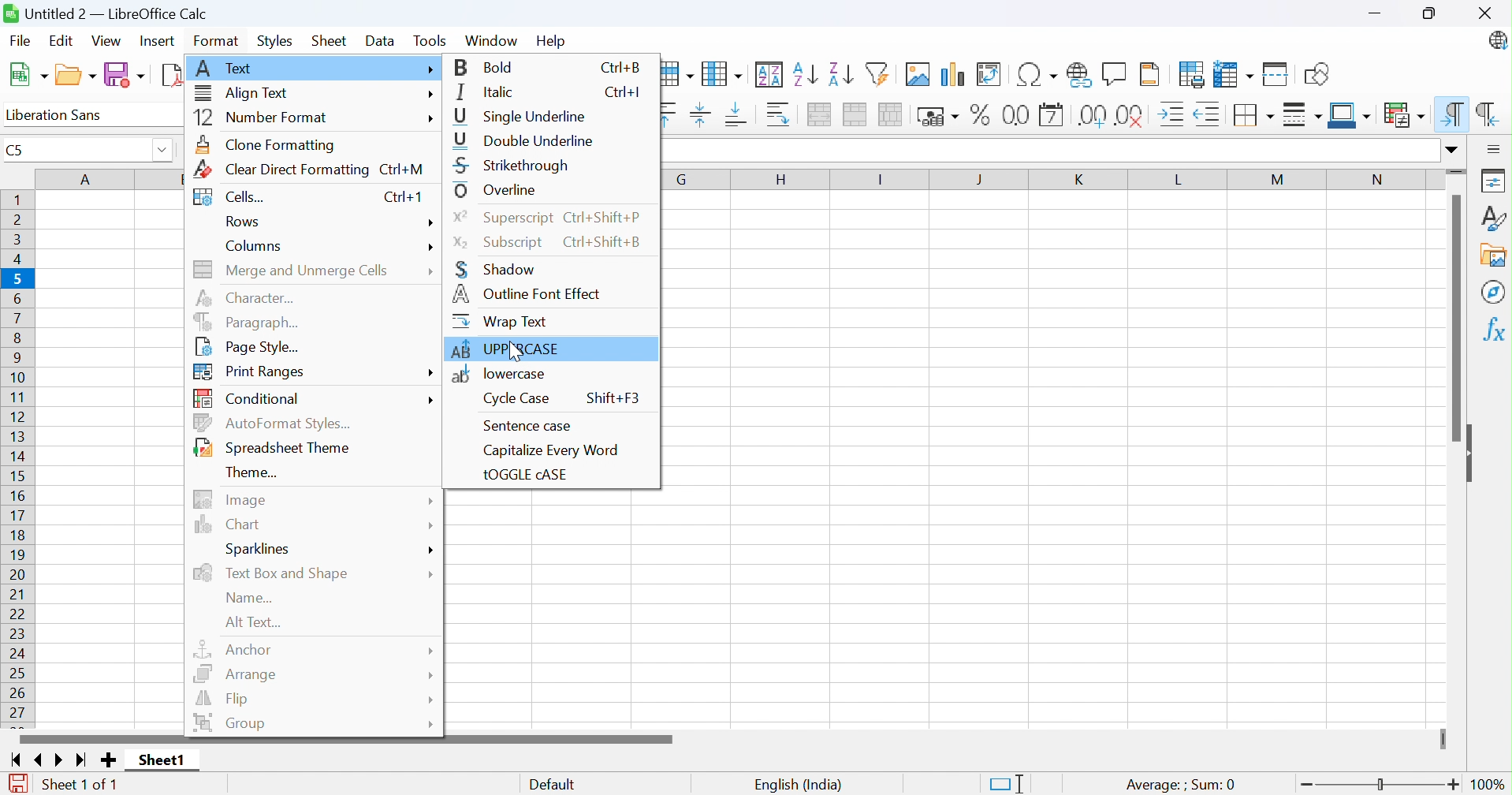  What do you see at coordinates (262, 114) in the screenshot?
I see `Number format` at bounding box center [262, 114].